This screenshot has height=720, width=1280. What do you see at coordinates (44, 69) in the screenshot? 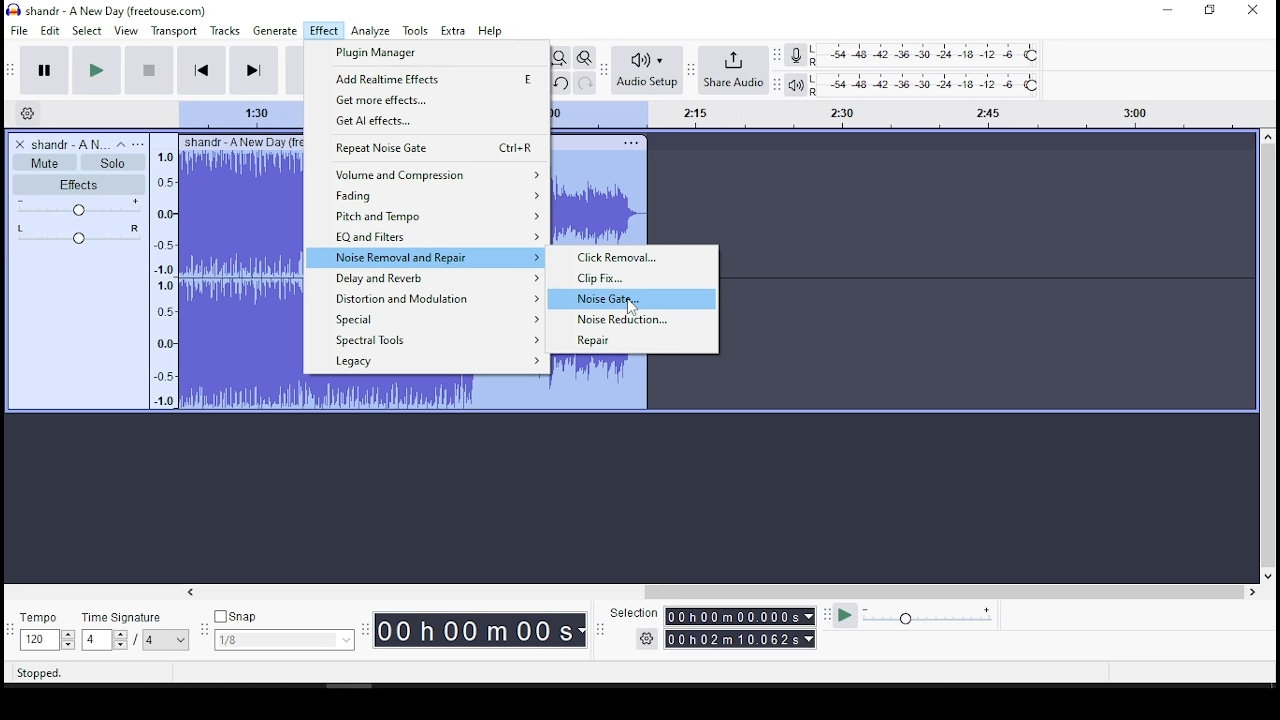
I see `` at bounding box center [44, 69].